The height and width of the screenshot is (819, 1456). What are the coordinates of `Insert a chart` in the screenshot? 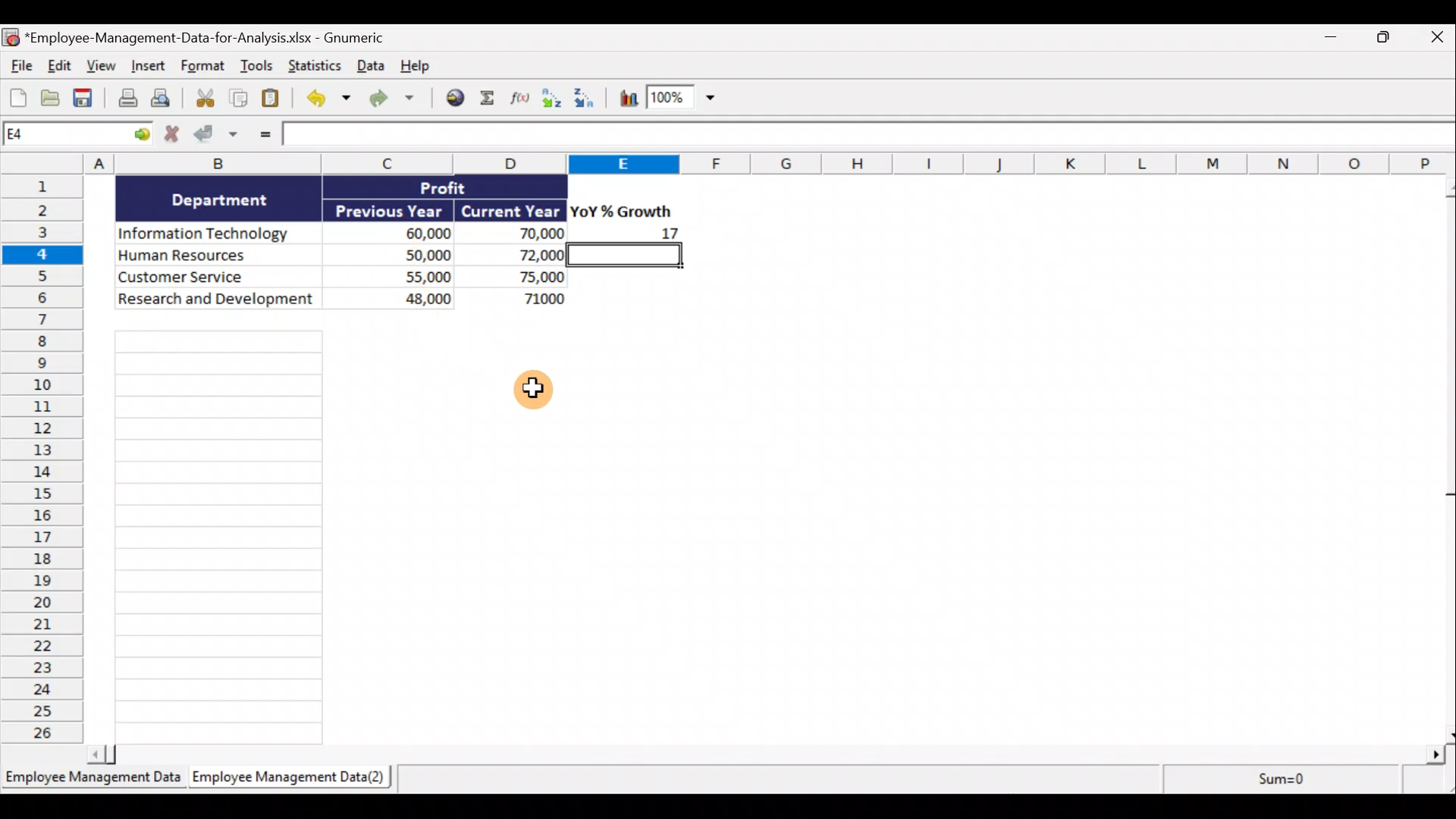 It's located at (627, 101).